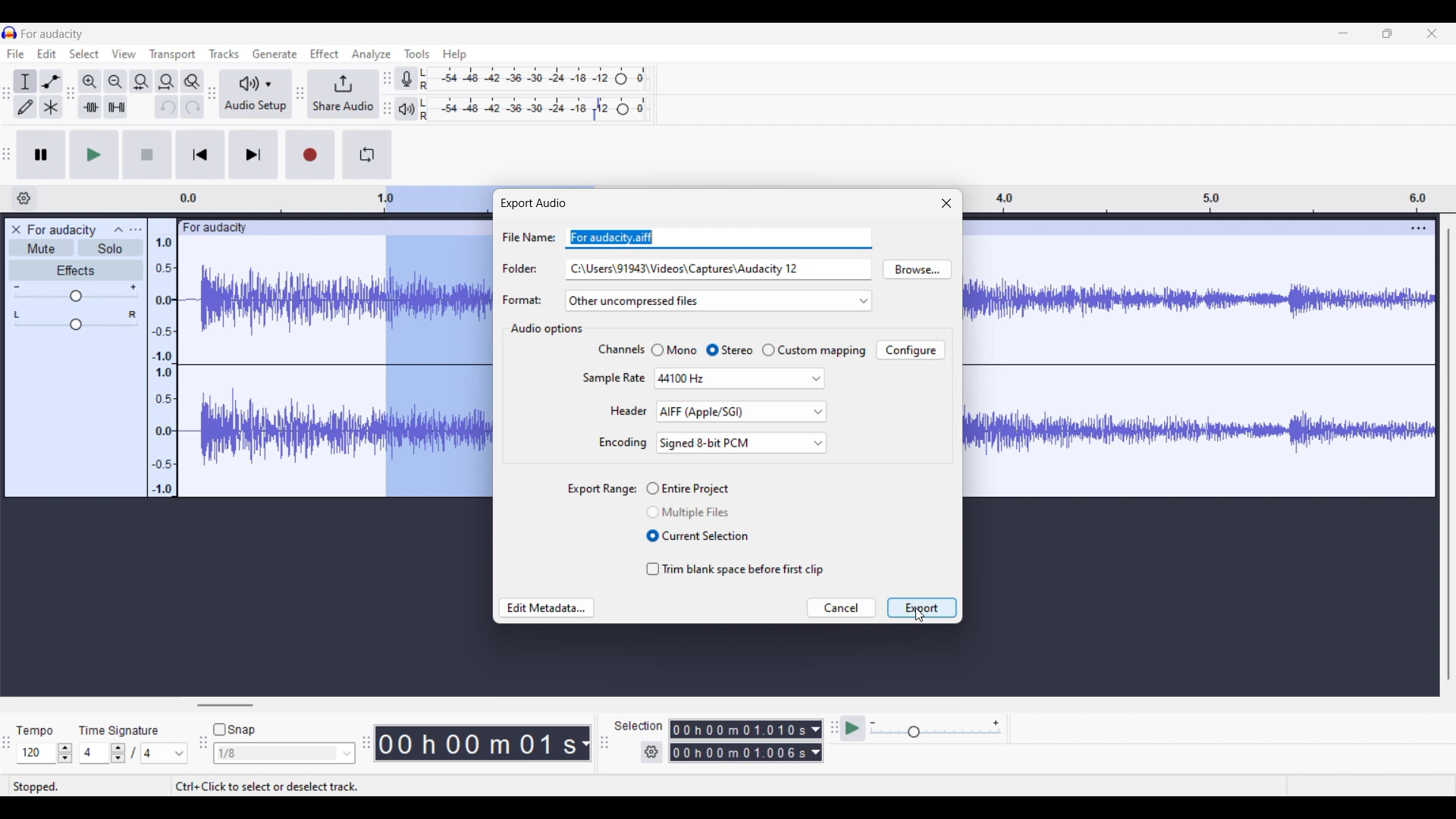  Describe the element at coordinates (696, 488) in the screenshot. I see `Entire Project` at that location.